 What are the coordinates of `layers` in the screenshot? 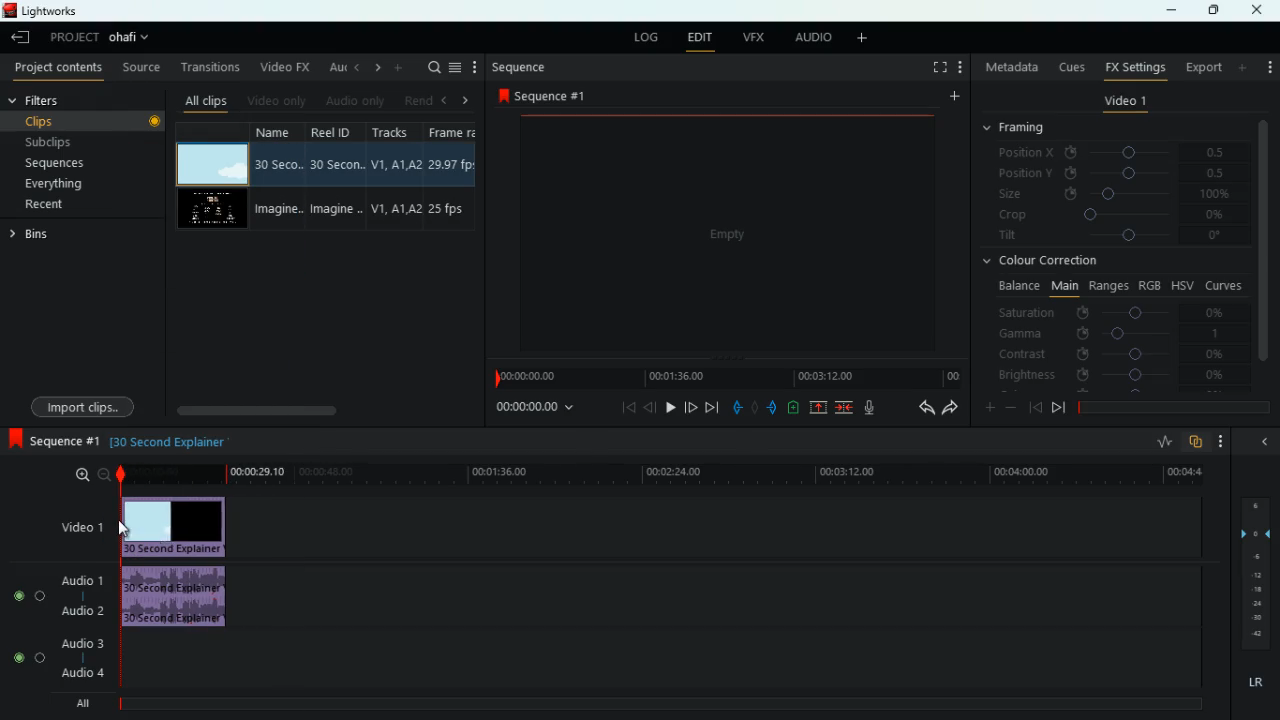 It's located at (1253, 570).